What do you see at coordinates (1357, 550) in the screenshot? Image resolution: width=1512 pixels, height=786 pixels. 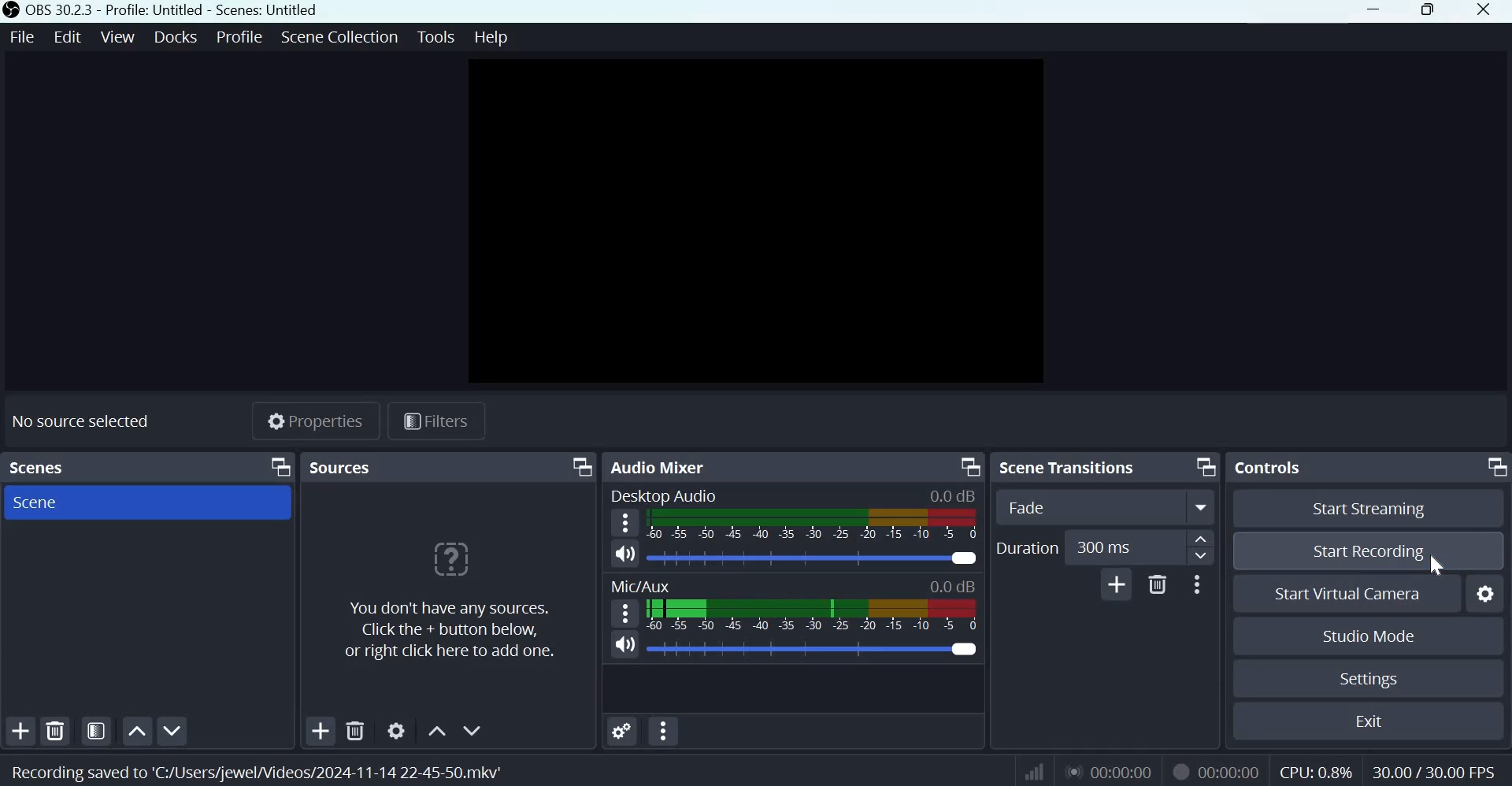 I see `Start Recording` at bounding box center [1357, 550].